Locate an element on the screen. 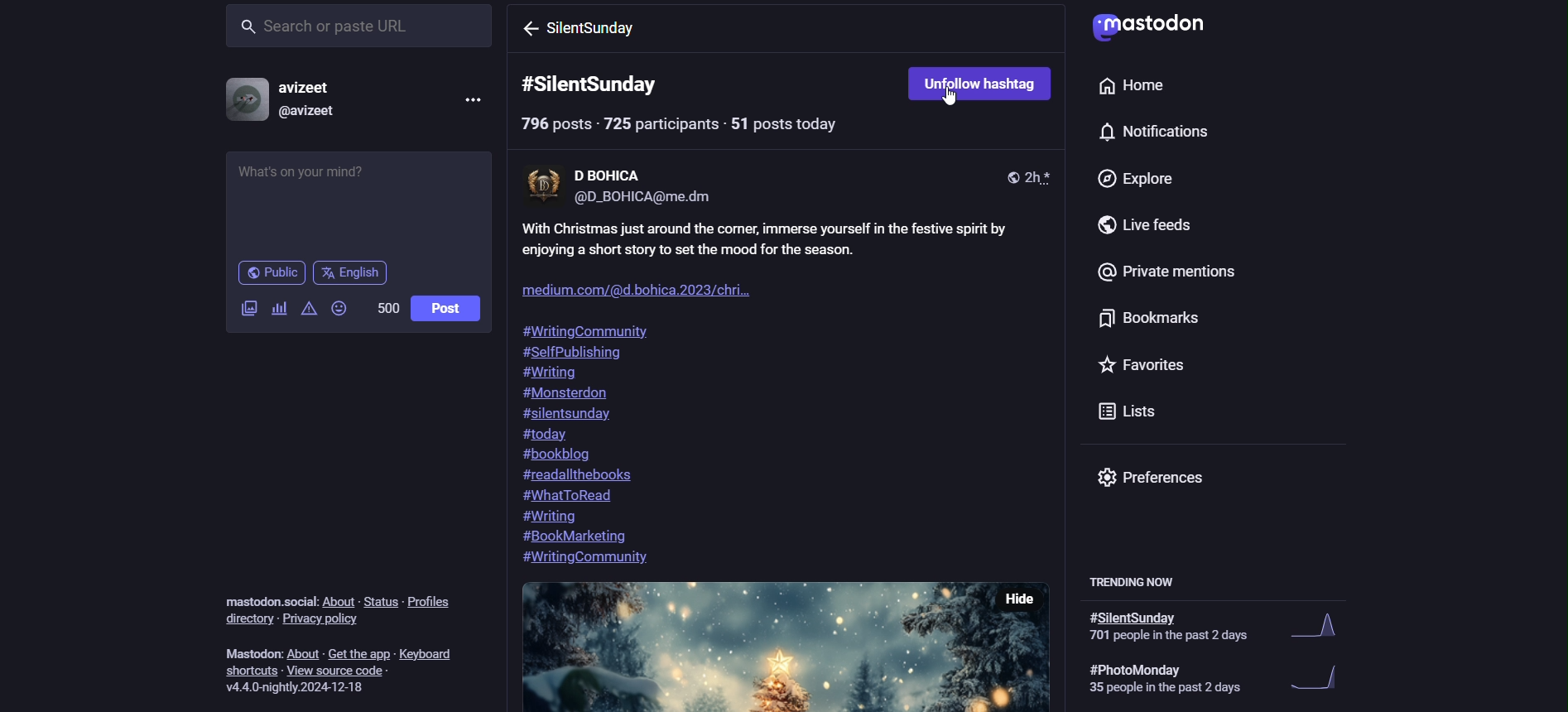  time posted is located at coordinates (1043, 174).